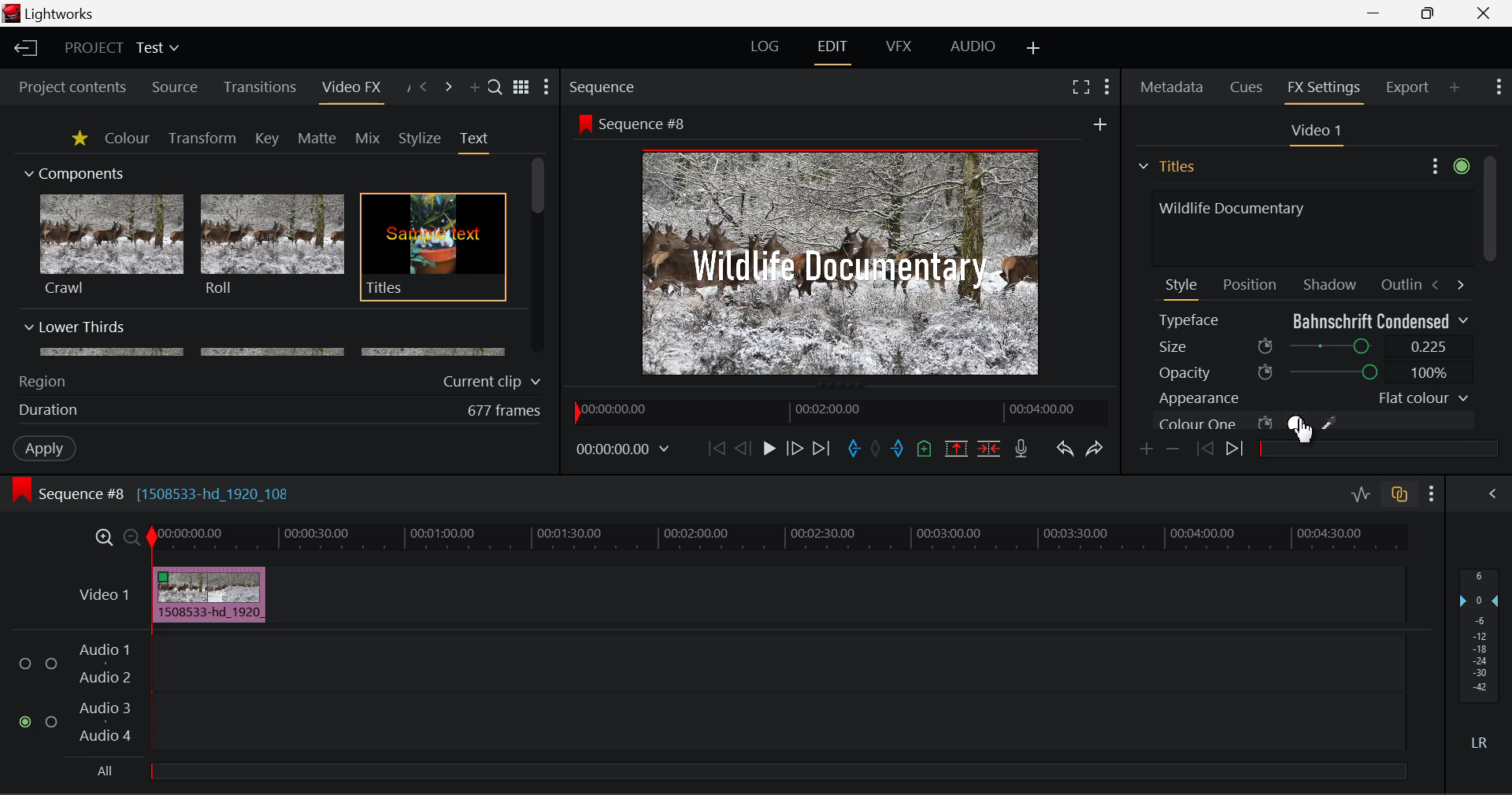 Image resolution: width=1512 pixels, height=795 pixels. Describe the element at coordinates (50, 411) in the screenshot. I see `Duration` at that location.